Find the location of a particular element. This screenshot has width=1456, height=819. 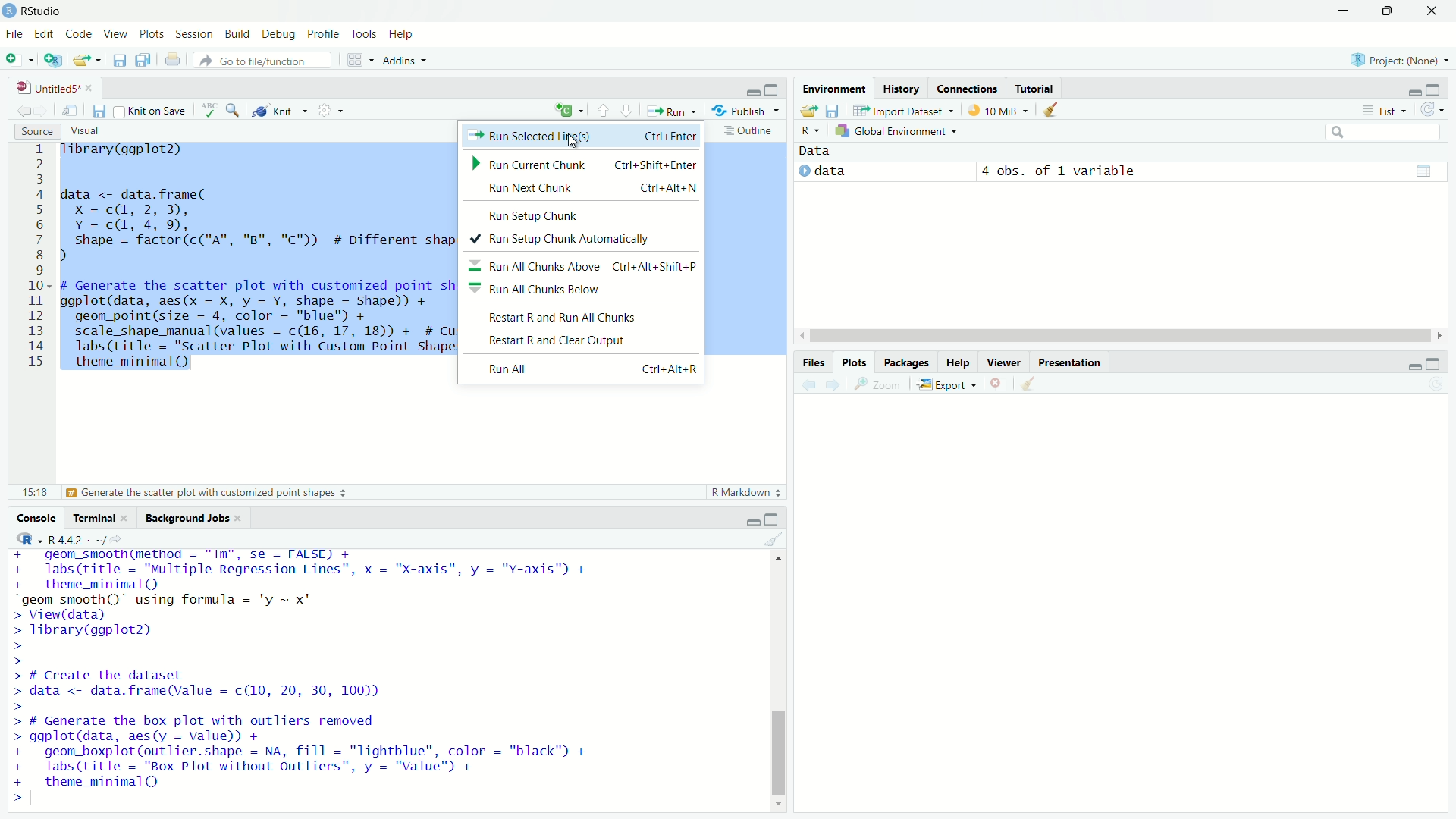

Run All Ctrl+Alt+R is located at coordinates (582, 369).